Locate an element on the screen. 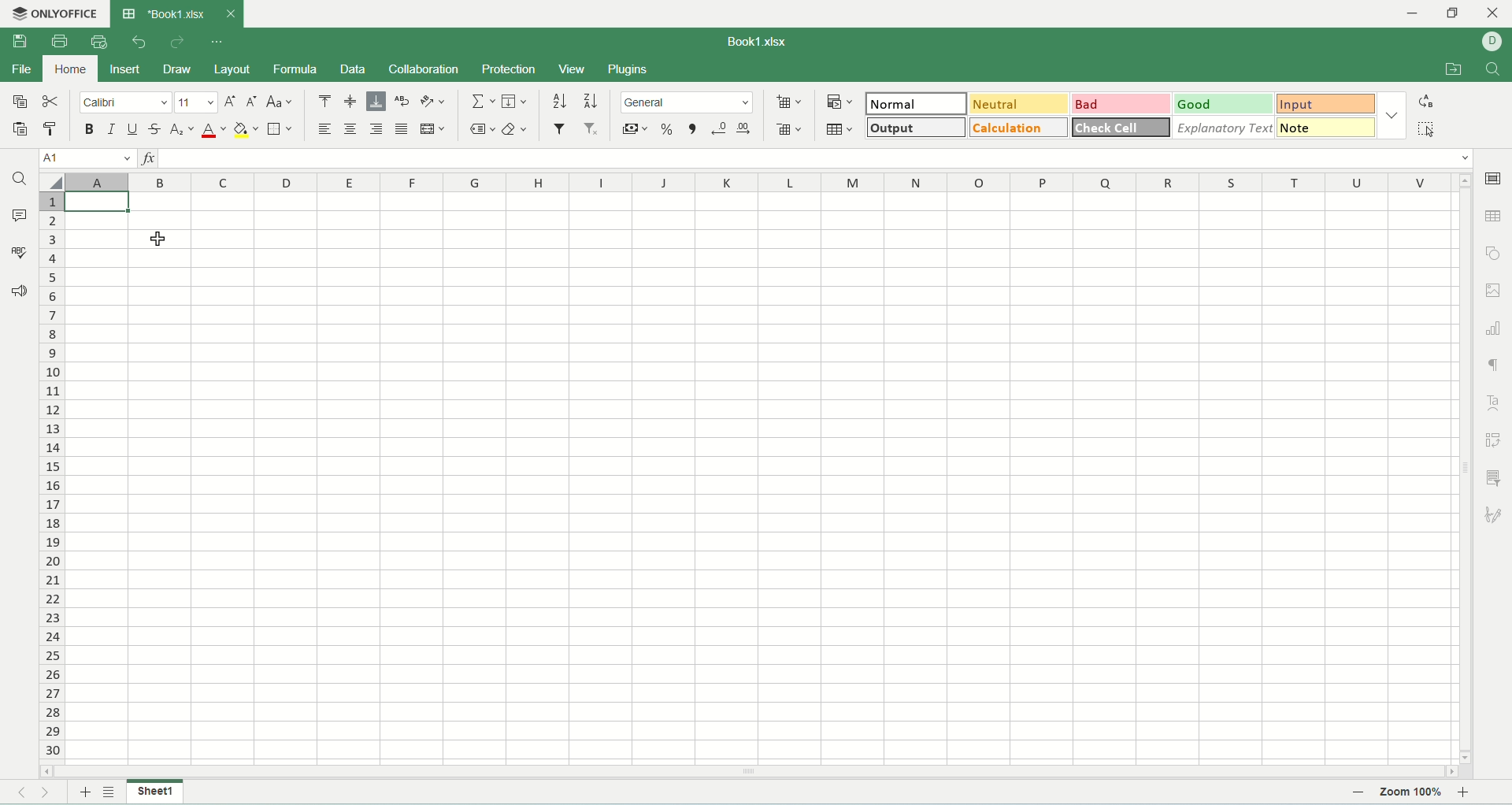 This screenshot has width=1512, height=805. justified is located at coordinates (402, 129).